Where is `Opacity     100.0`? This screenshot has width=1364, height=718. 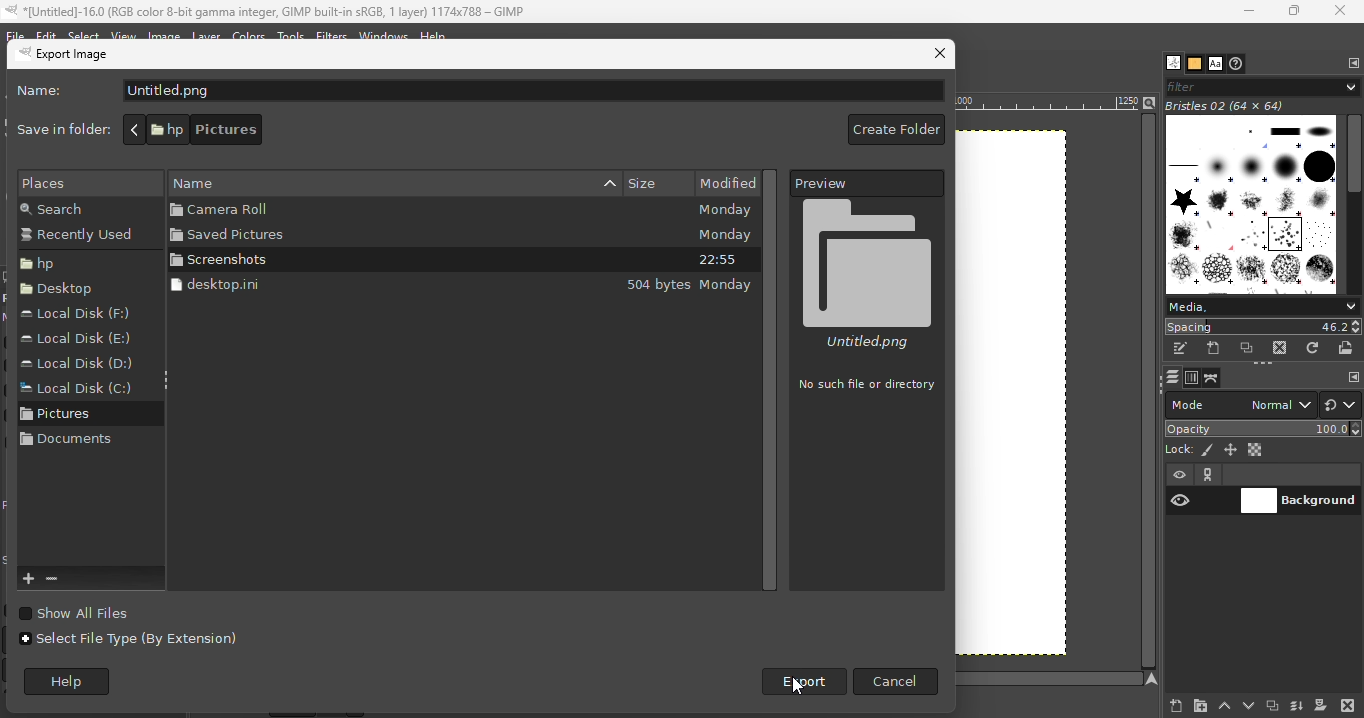
Opacity     100.0 is located at coordinates (1264, 428).